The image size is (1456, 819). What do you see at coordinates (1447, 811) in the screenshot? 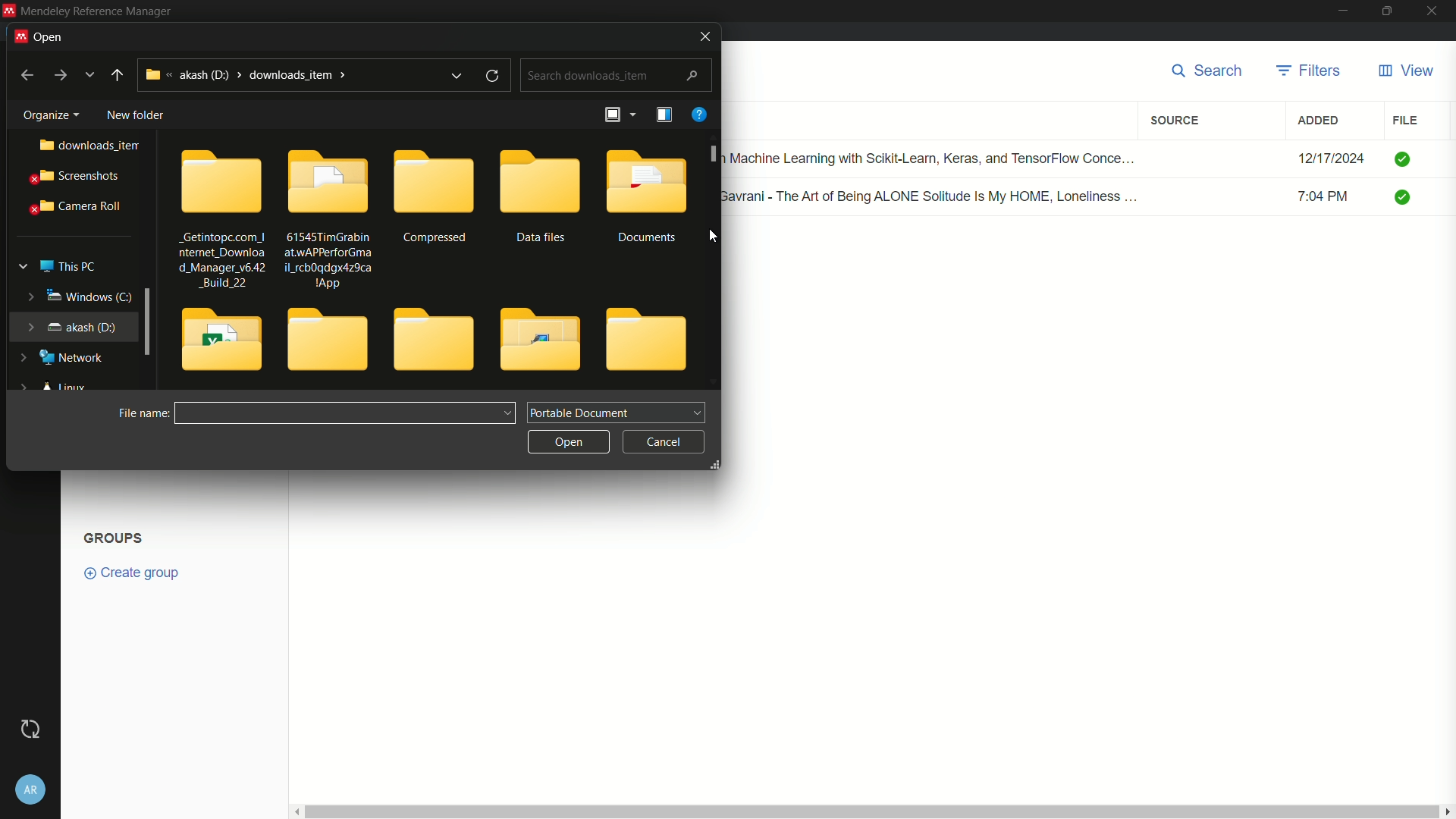
I see `scroll right` at bounding box center [1447, 811].